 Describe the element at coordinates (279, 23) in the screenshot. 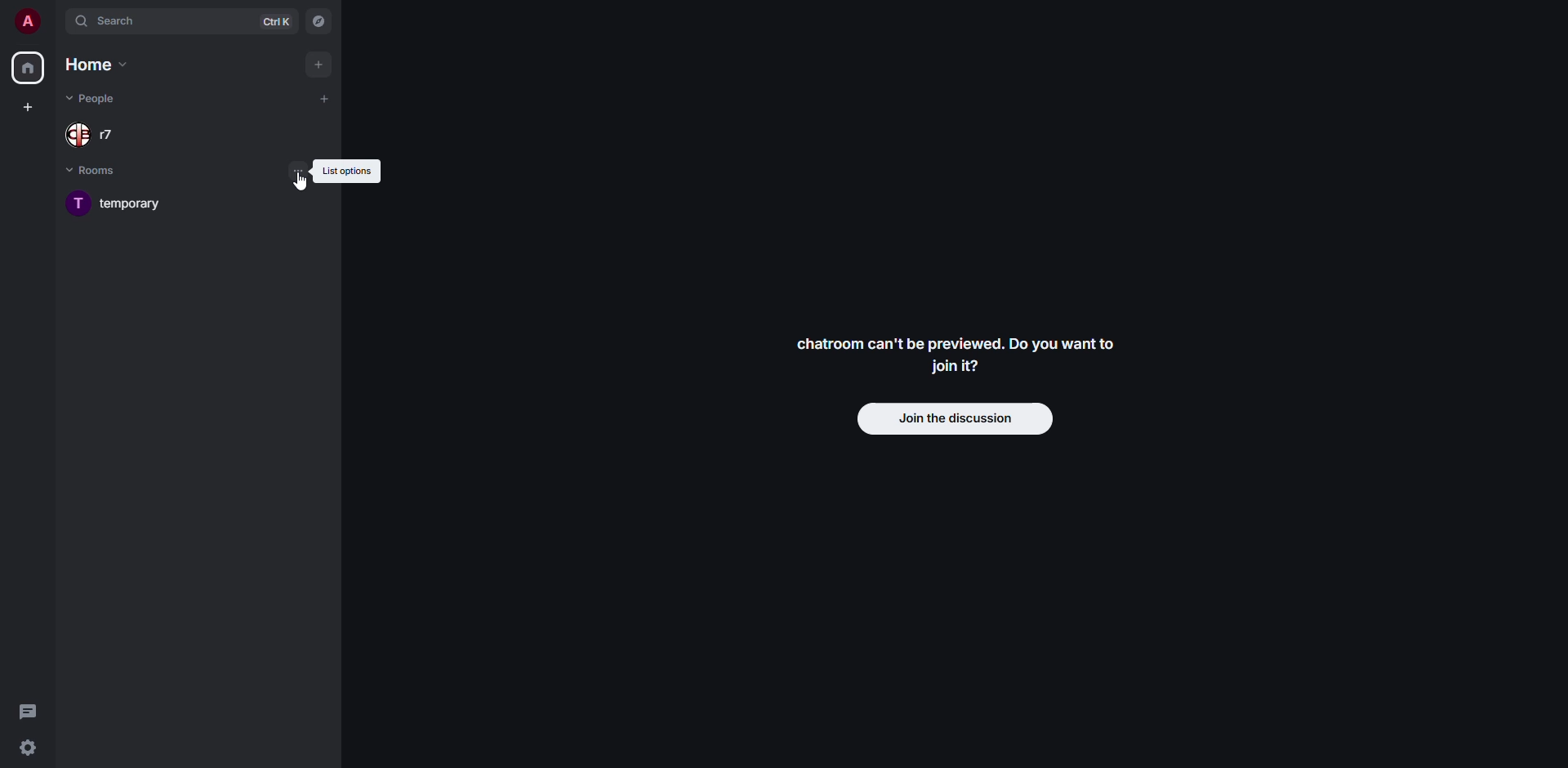

I see `ctrl K` at that location.